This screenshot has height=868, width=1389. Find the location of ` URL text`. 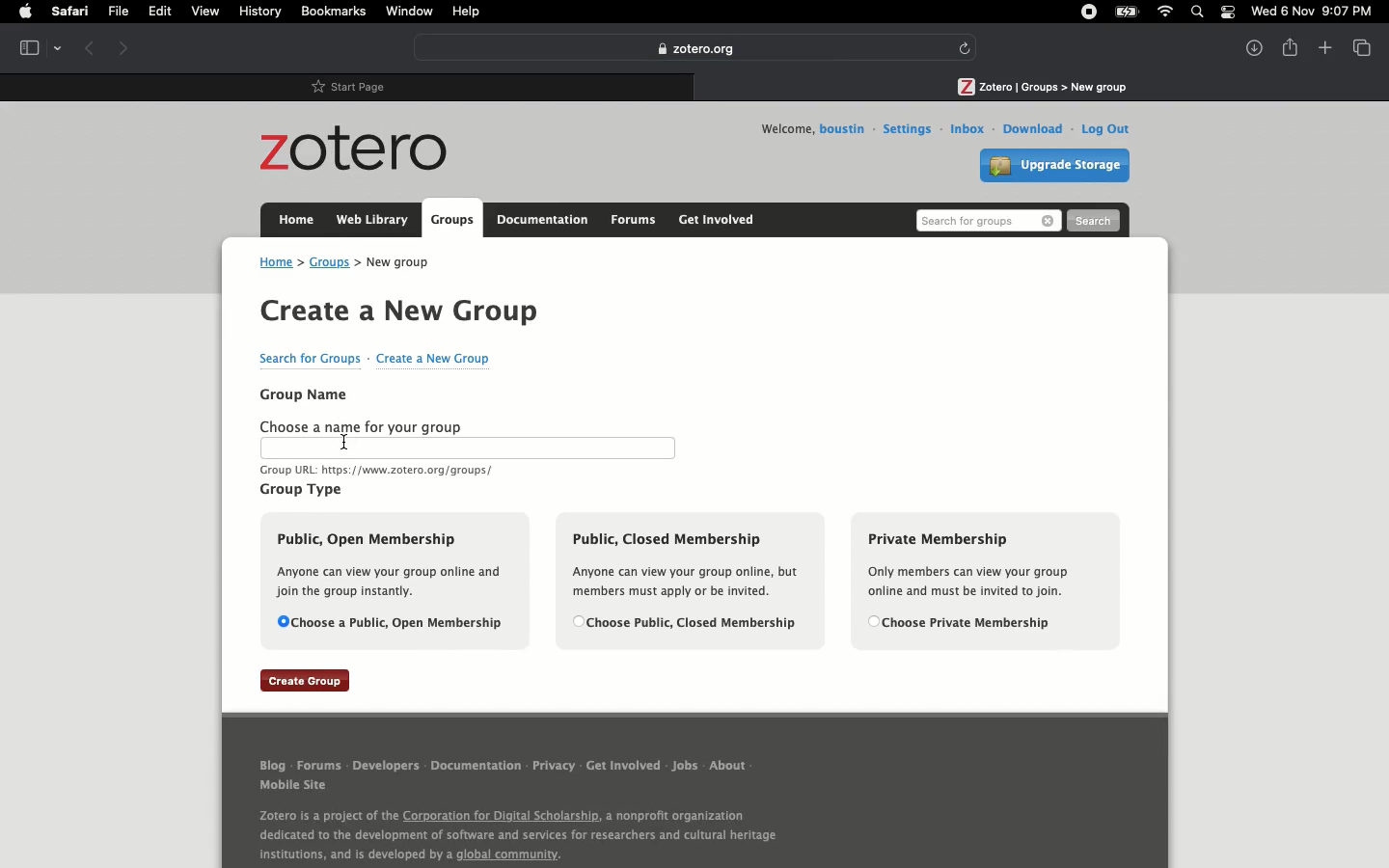

 URL text is located at coordinates (378, 471).